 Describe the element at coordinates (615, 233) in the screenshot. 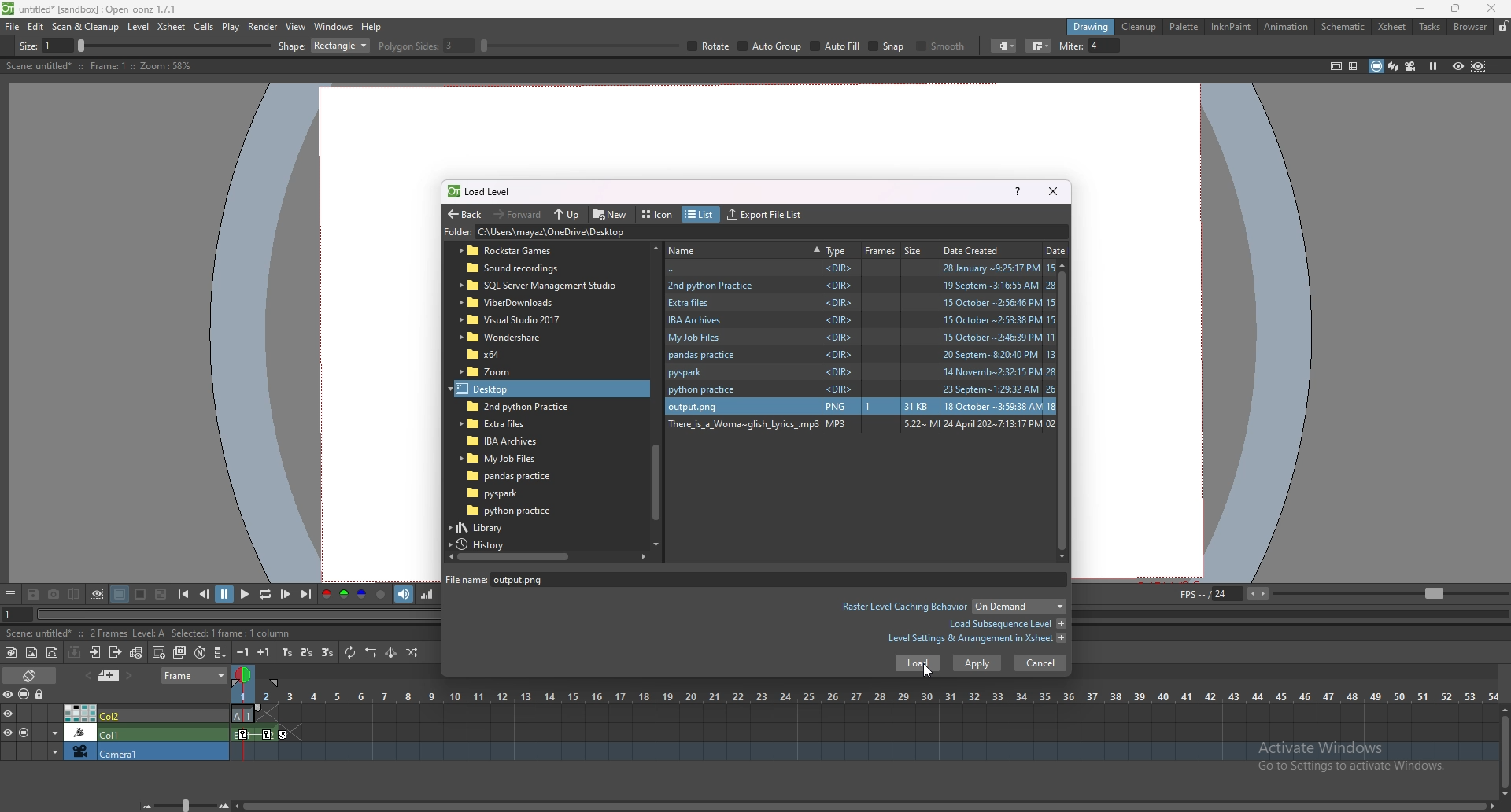

I see `folder` at that location.